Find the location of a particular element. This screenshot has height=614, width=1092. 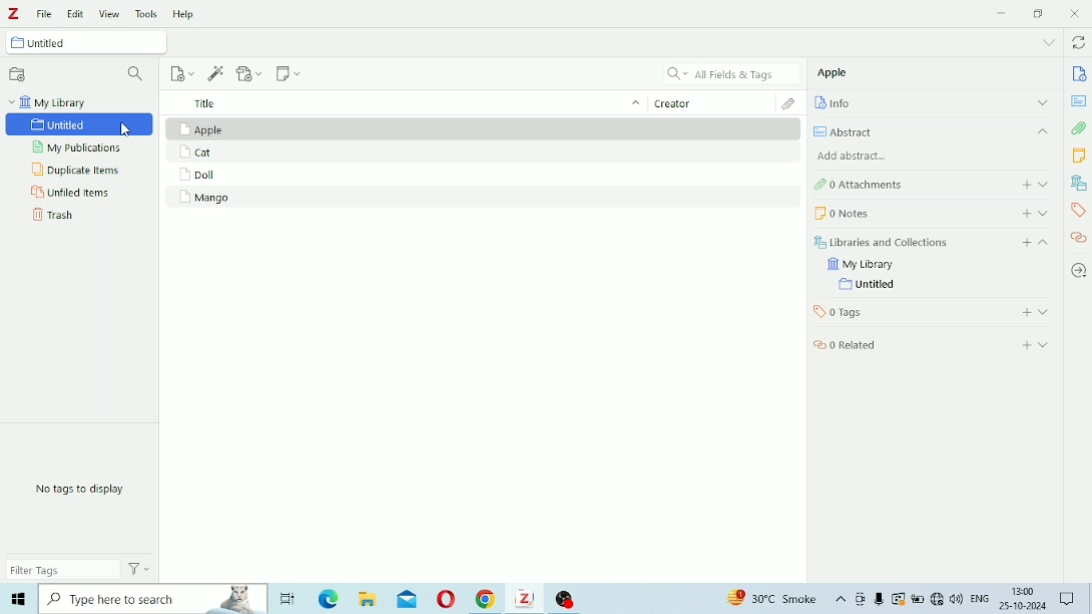

 is located at coordinates (1067, 598).